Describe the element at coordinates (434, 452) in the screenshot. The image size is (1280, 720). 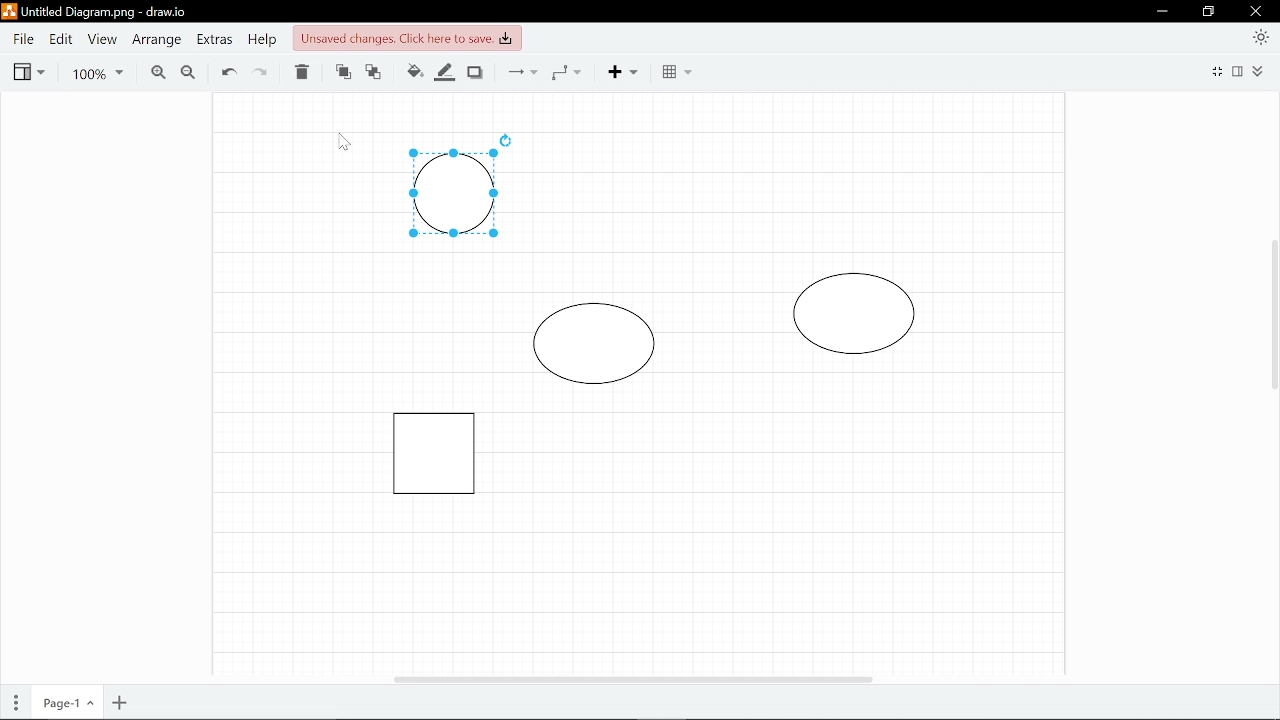
I see `Diagram` at that location.